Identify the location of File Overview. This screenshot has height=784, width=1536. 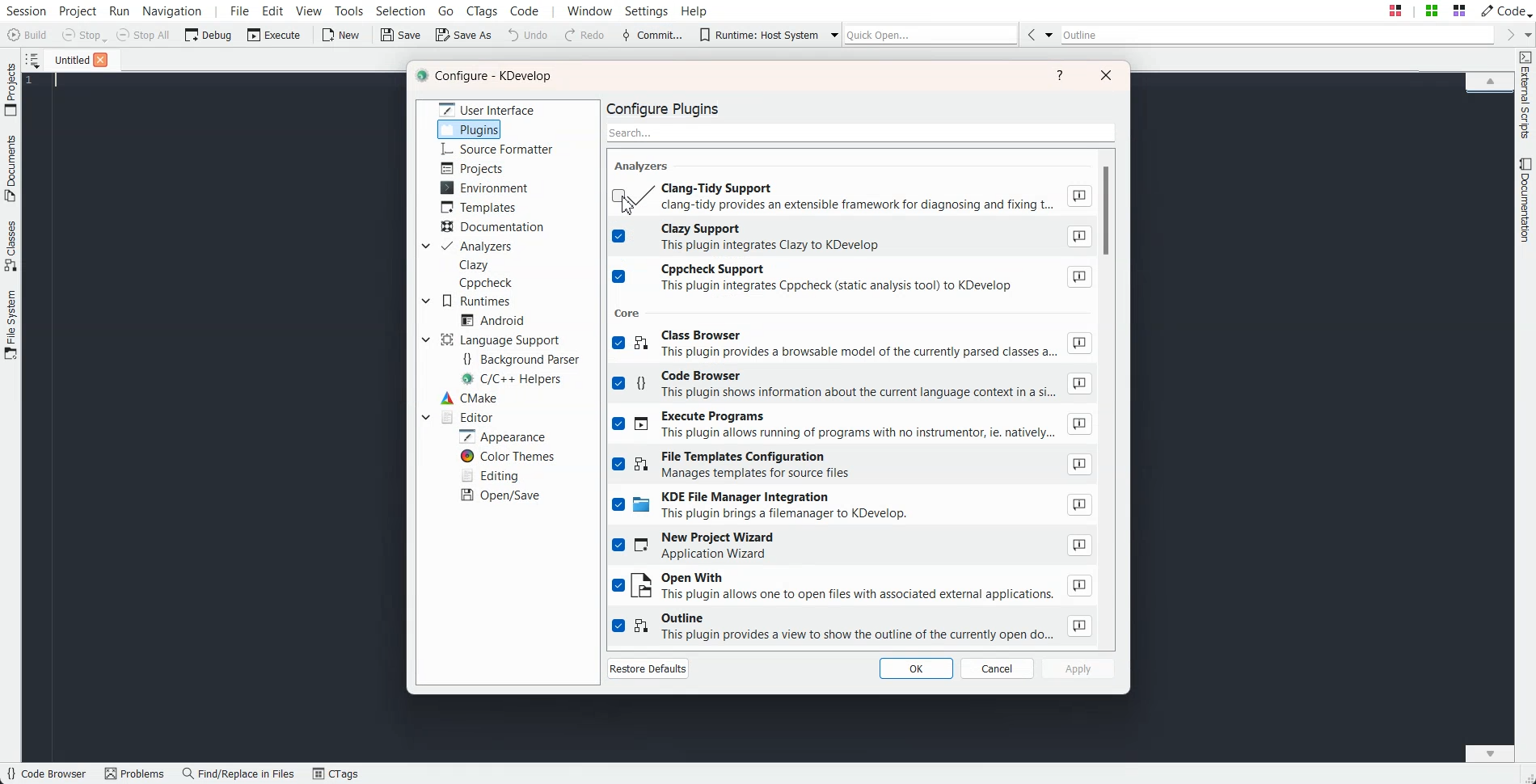
(1489, 95).